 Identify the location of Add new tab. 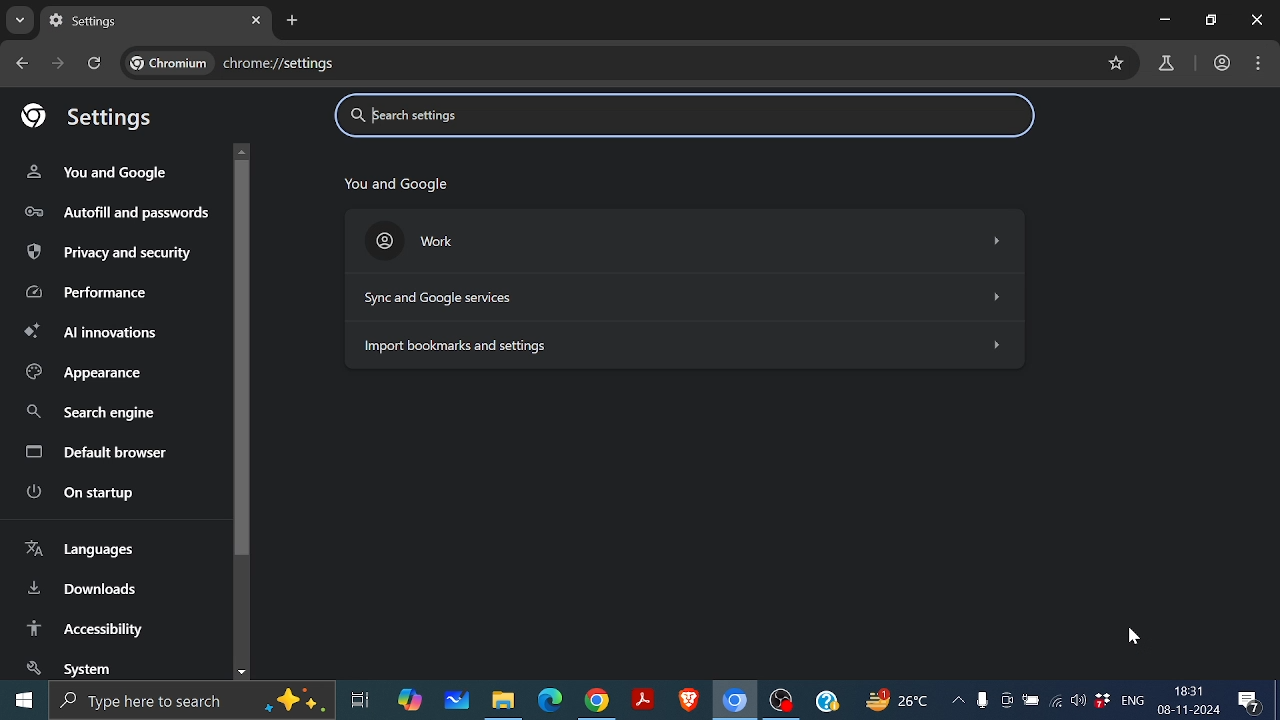
(293, 20).